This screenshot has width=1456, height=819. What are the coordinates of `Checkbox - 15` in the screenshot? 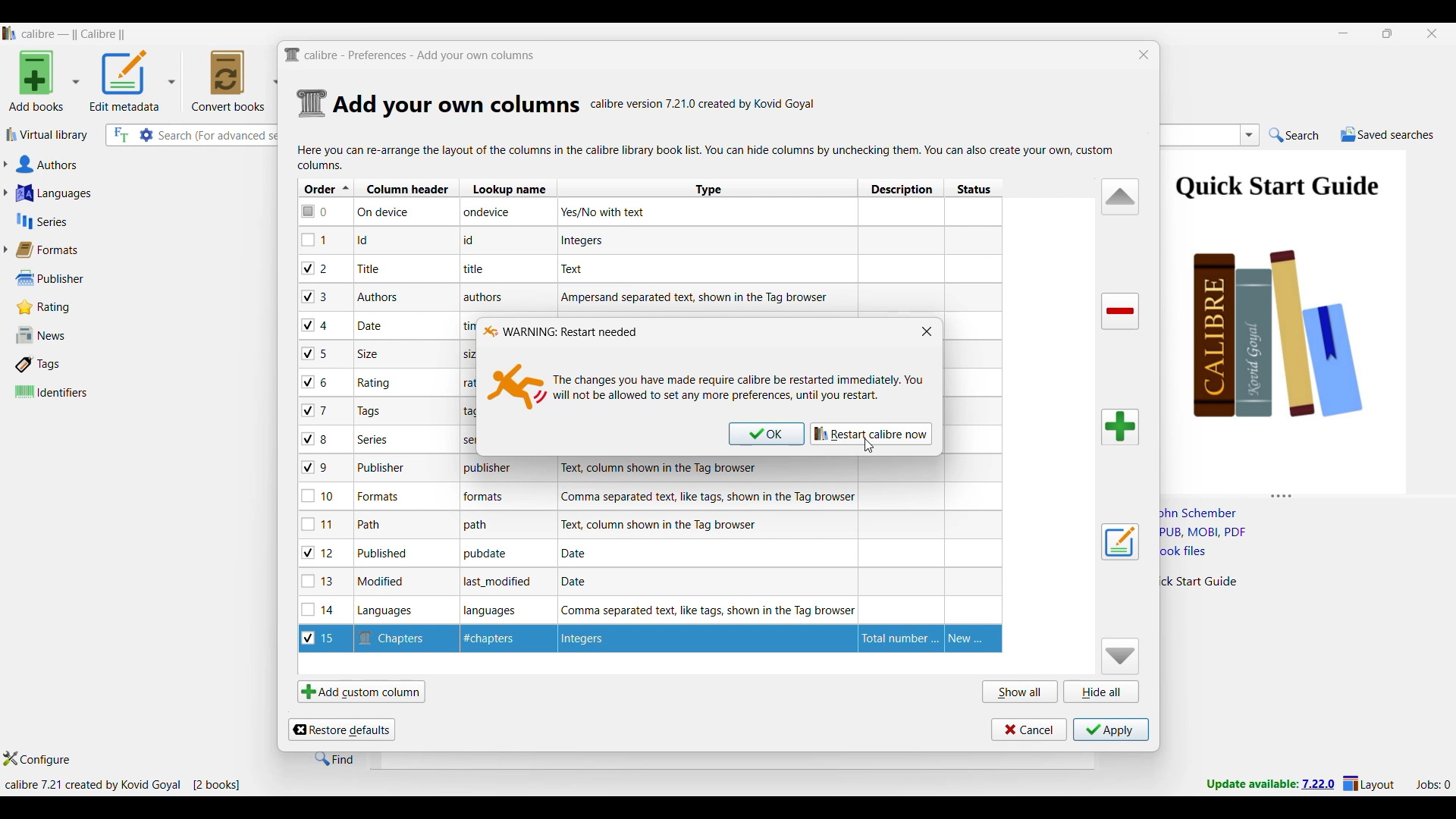 It's located at (322, 640).